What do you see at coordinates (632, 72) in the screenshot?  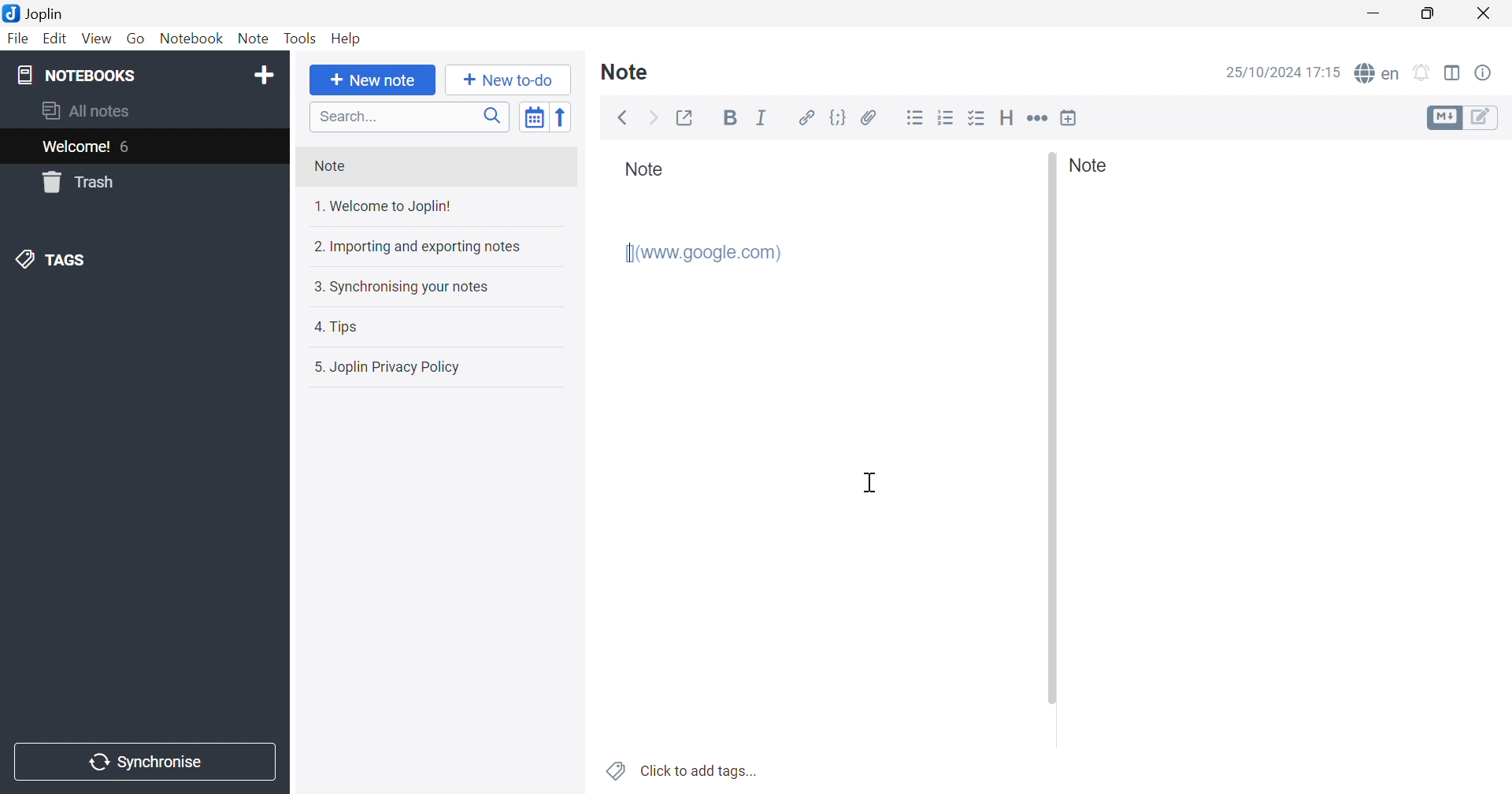 I see `Note` at bounding box center [632, 72].